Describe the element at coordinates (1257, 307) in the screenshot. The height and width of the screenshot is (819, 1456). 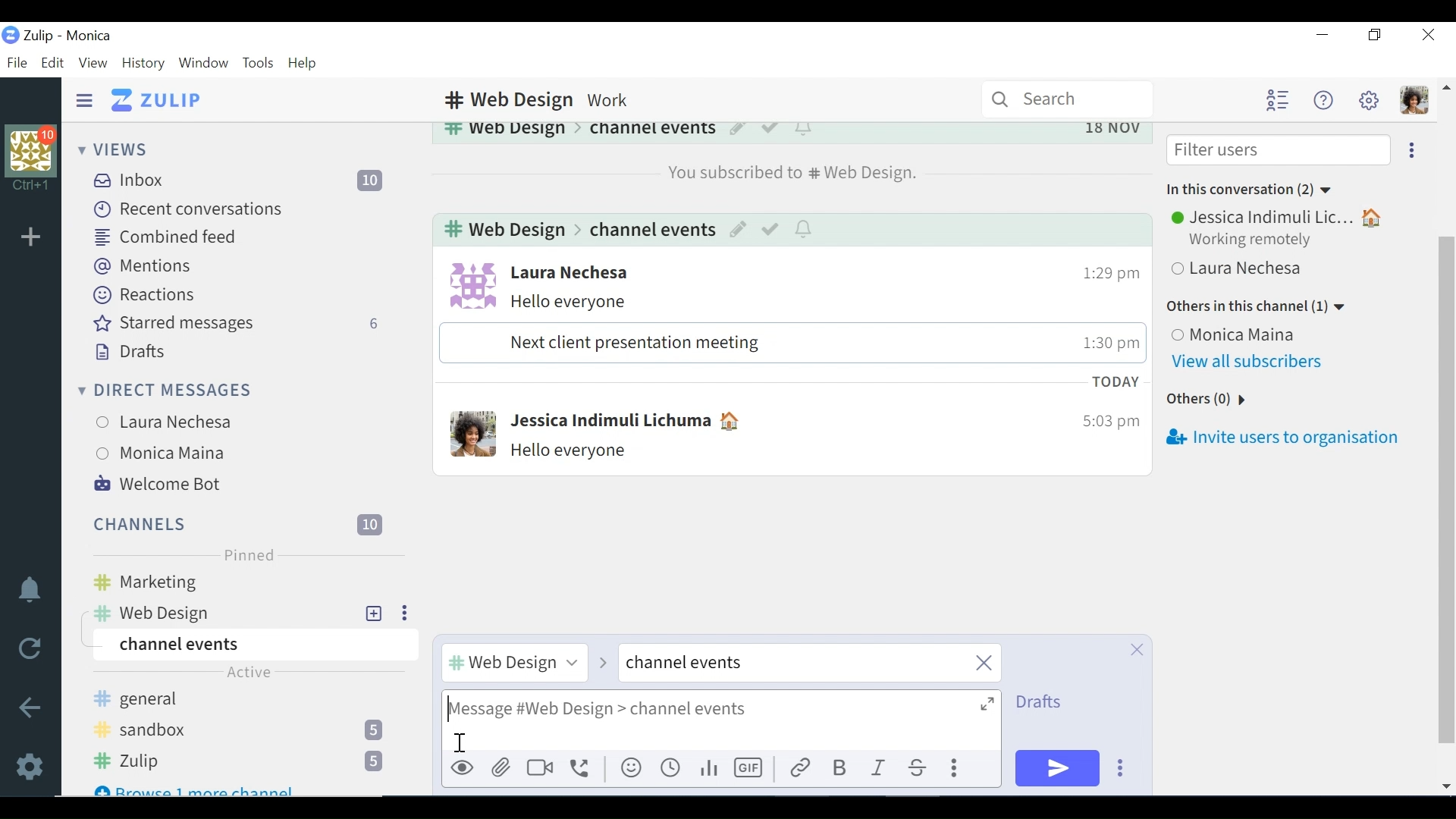
I see `Others in this channel` at that location.